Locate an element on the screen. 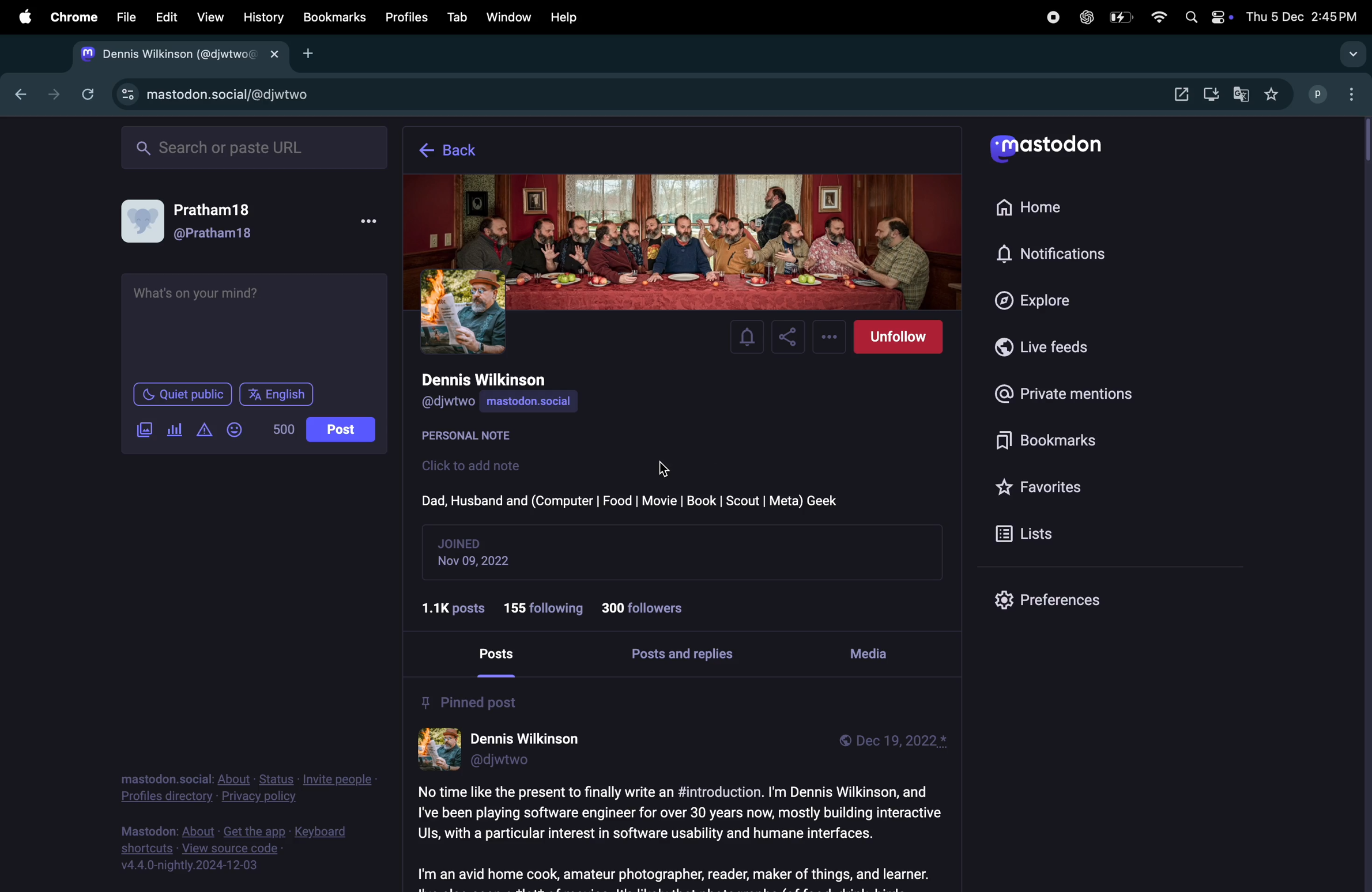 This screenshot has height=892, width=1372. Bookmark is located at coordinates (335, 17).